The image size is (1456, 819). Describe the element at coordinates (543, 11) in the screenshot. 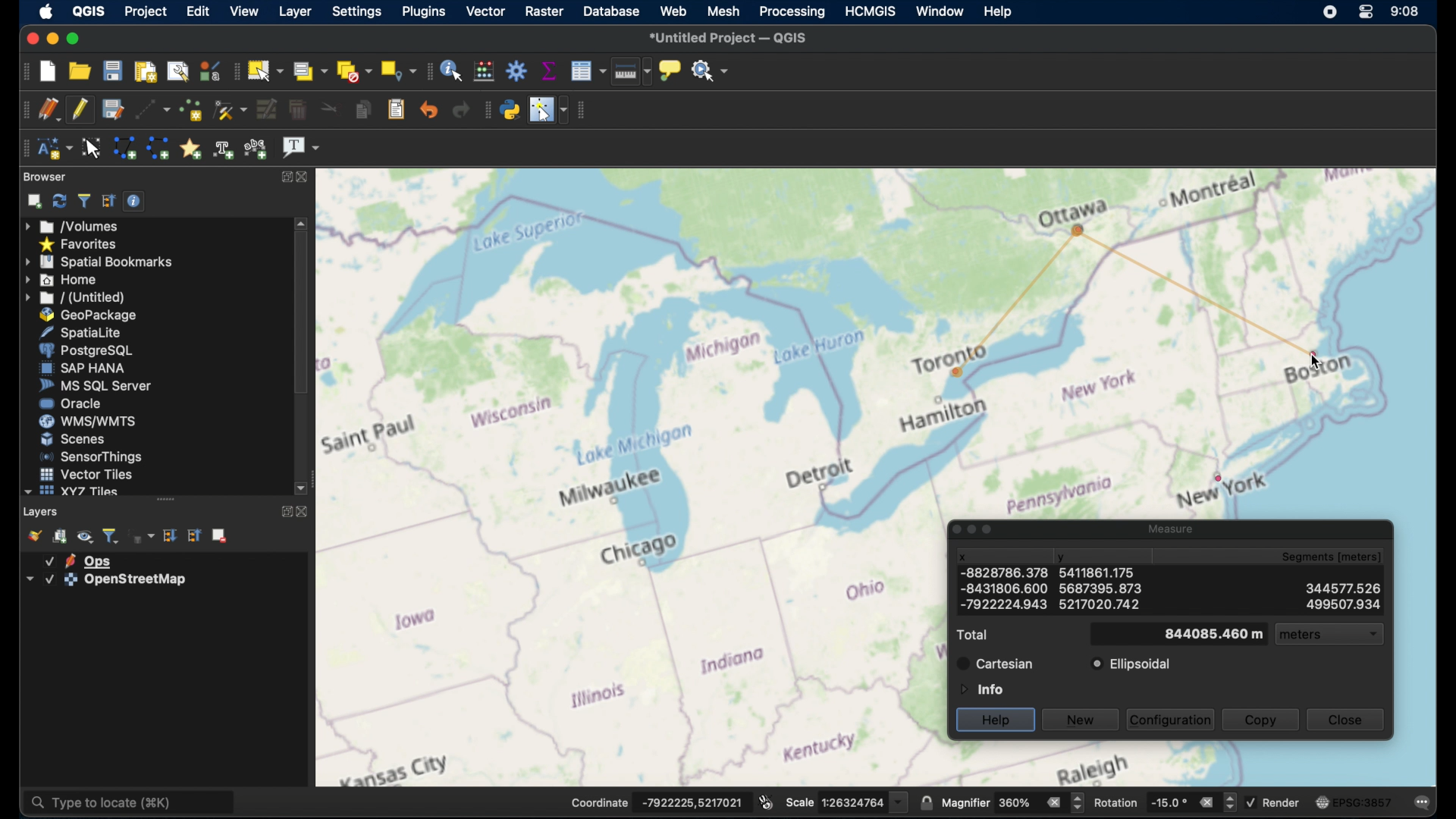

I see `raster` at that location.